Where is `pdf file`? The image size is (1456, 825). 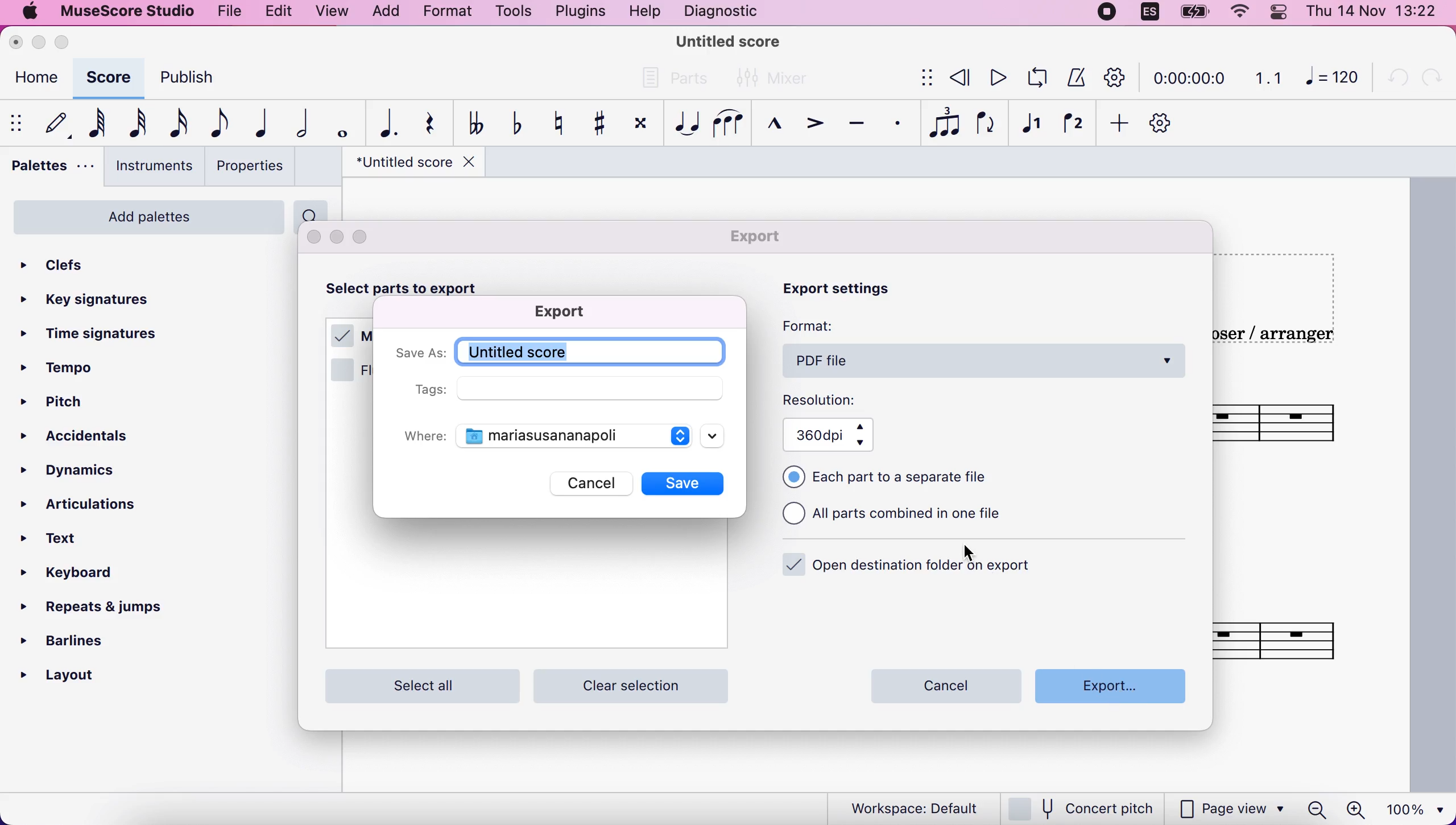
pdf file is located at coordinates (986, 361).